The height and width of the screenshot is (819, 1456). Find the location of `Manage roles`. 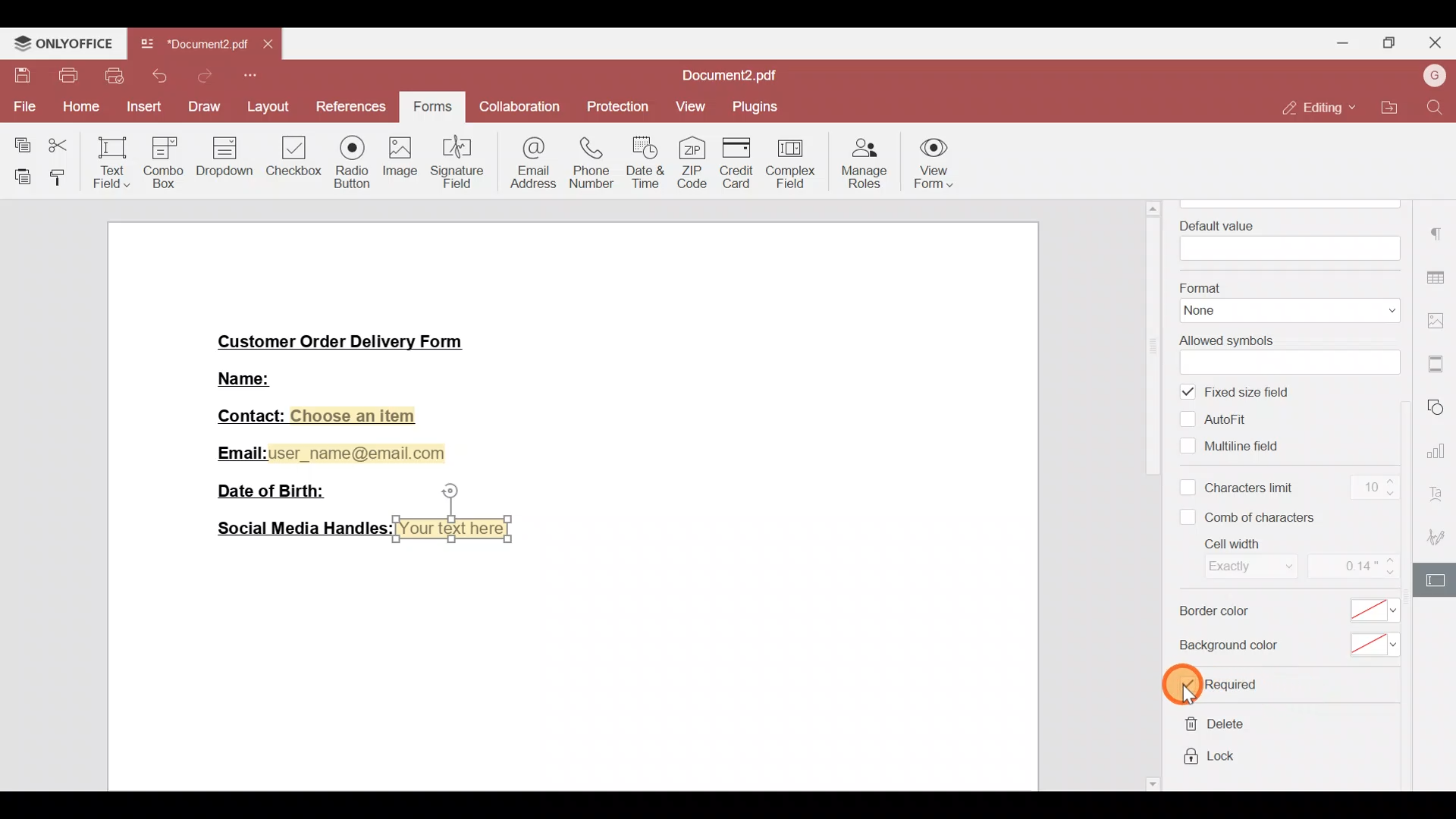

Manage roles is located at coordinates (866, 161).